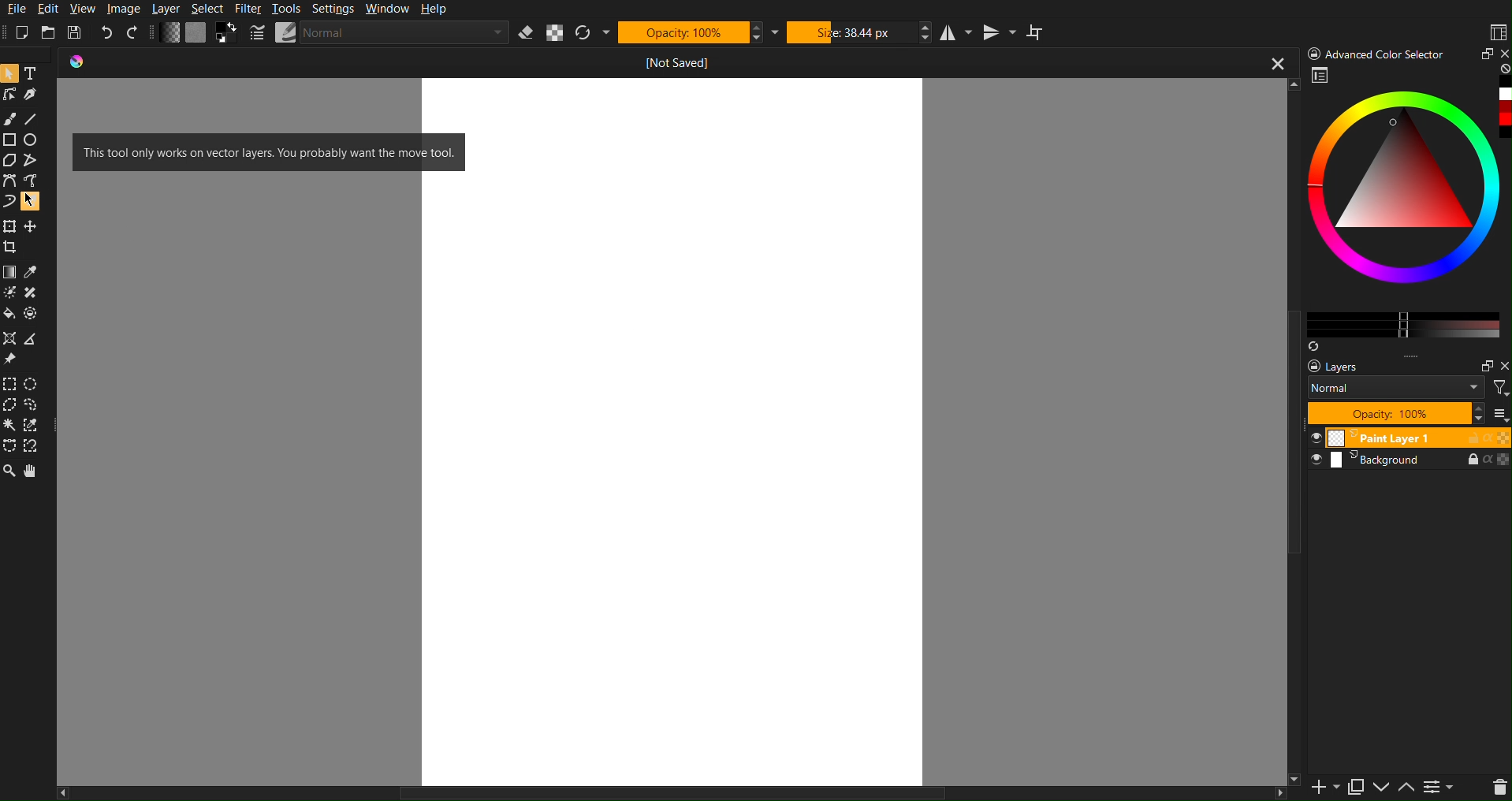 This screenshot has height=801, width=1512. What do you see at coordinates (35, 339) in the screenshot?
I see `Measure Tool` at bounding box center [35, 339].